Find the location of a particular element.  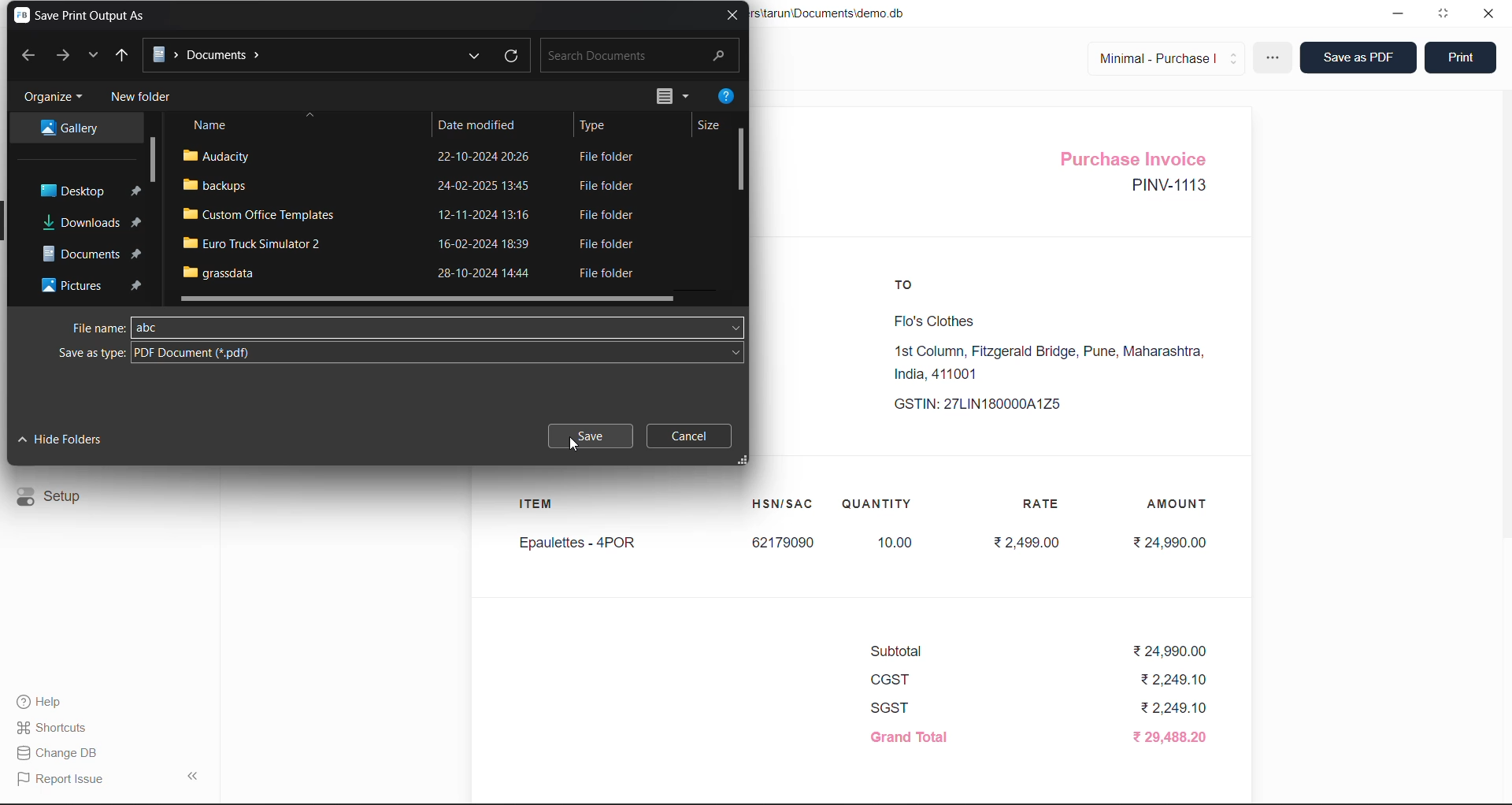

New folder is located at coordinates (147, 98).